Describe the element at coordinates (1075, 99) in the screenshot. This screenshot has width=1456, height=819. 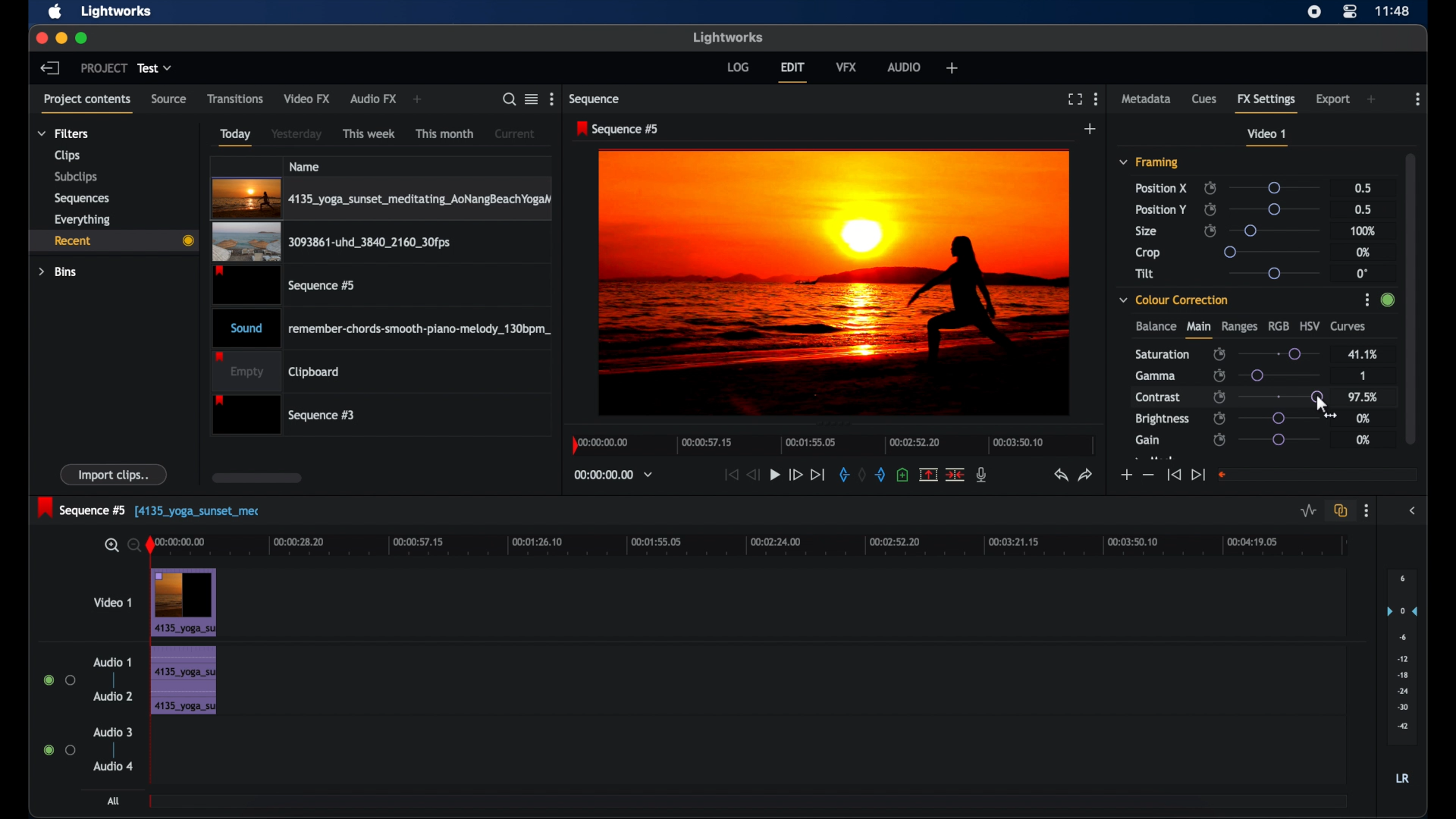
I see `full screen` at that location.